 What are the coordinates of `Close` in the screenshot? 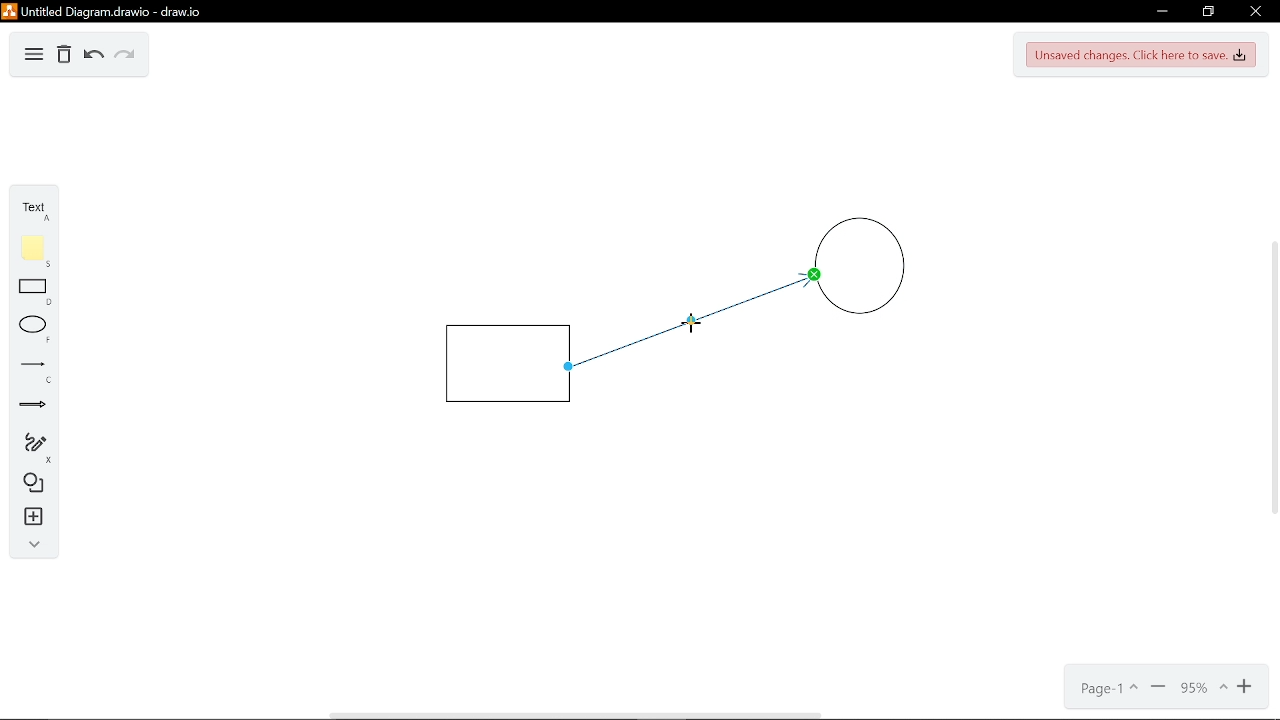 It's located at (1254, 12).